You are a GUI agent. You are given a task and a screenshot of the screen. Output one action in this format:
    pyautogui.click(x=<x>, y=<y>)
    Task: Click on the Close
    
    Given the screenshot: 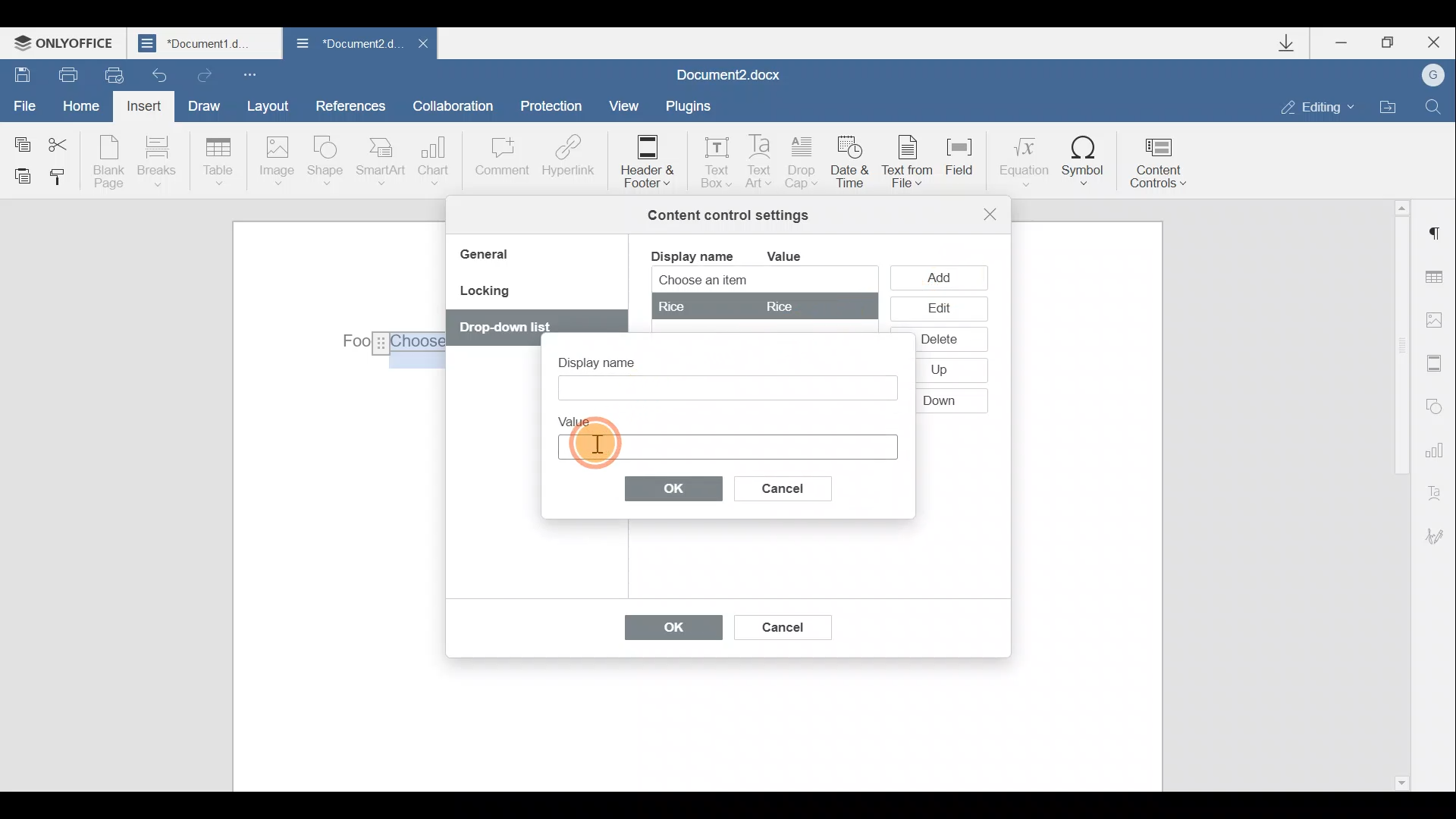 What is the action you would take?
    pyautogui.click(x=990, y=214)
    